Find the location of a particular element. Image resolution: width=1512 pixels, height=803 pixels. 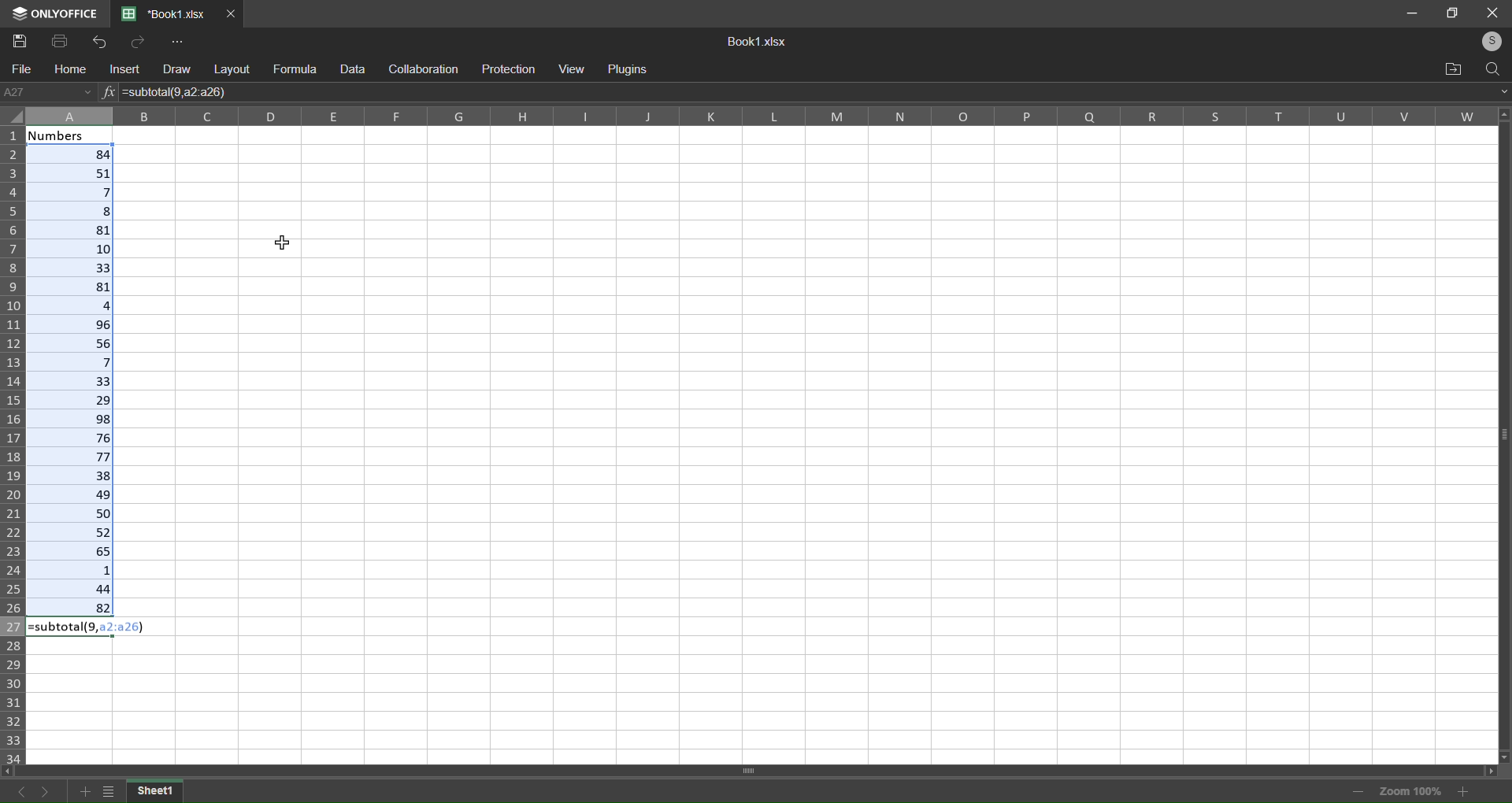

Vertical scroll bar is located at coordinates (1503, 436).